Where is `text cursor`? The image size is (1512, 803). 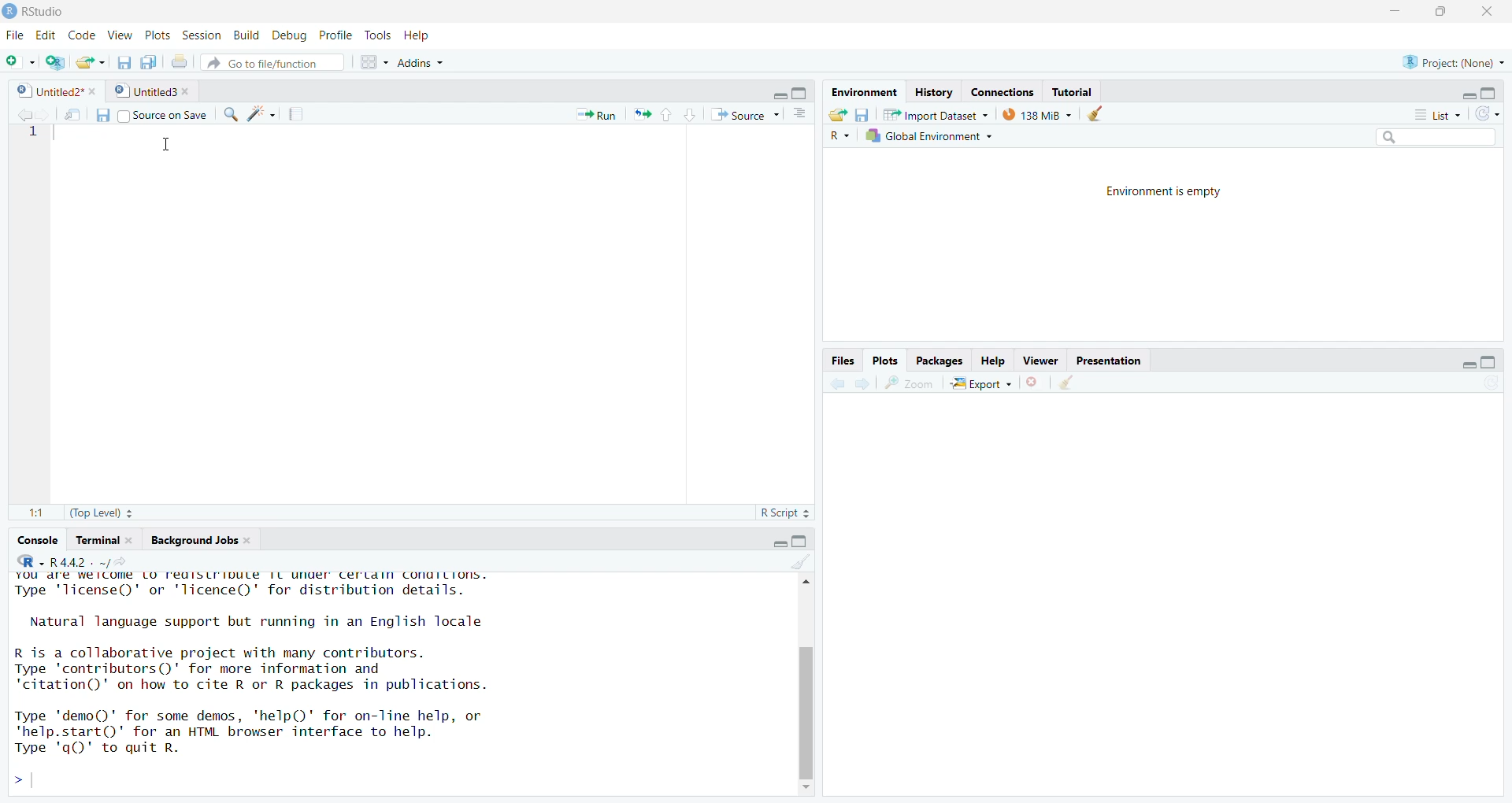 text cursor is located at coordinates (166, 143).